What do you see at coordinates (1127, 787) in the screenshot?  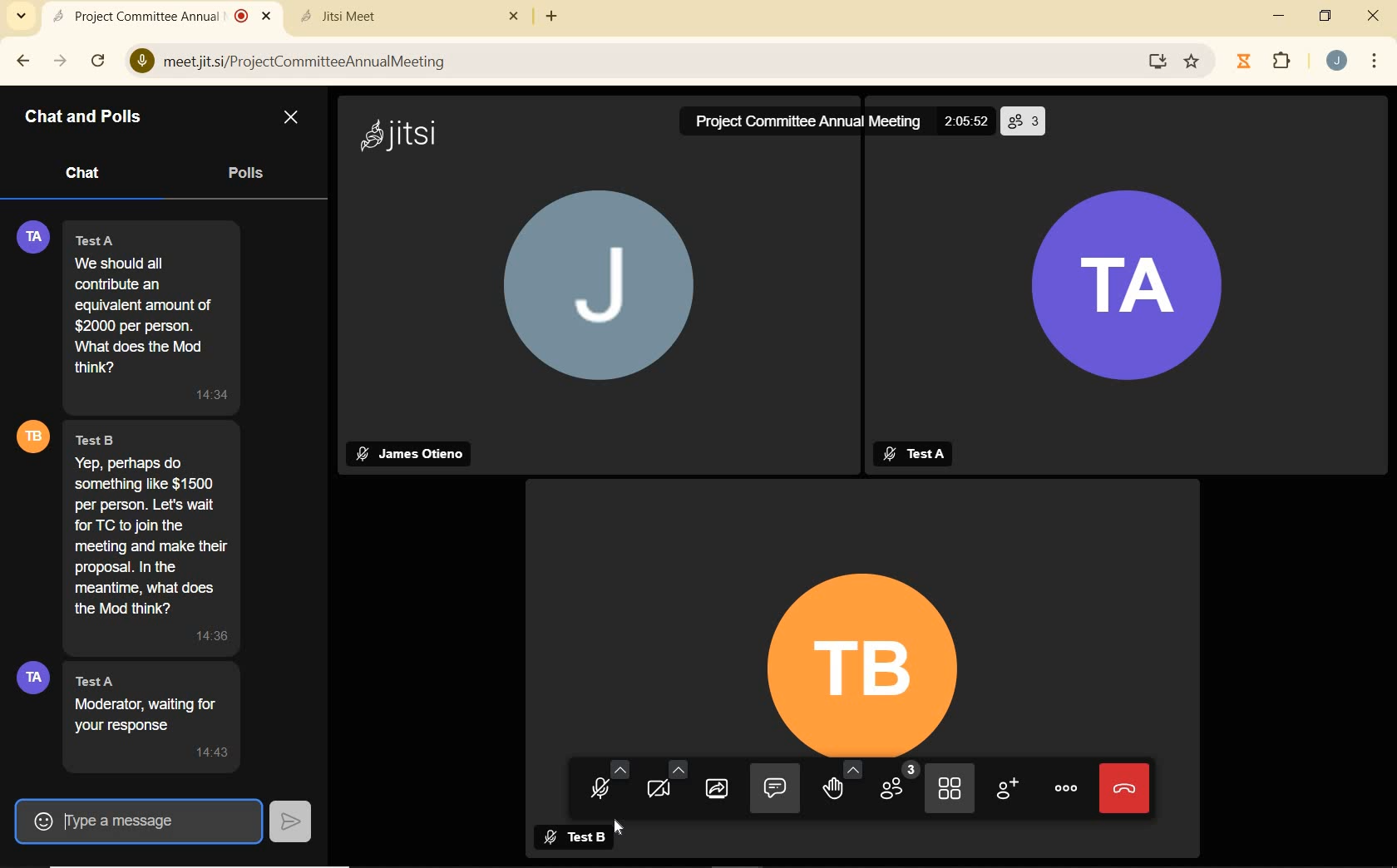 I see `leave meeting` at bounding box center [1127, 787].